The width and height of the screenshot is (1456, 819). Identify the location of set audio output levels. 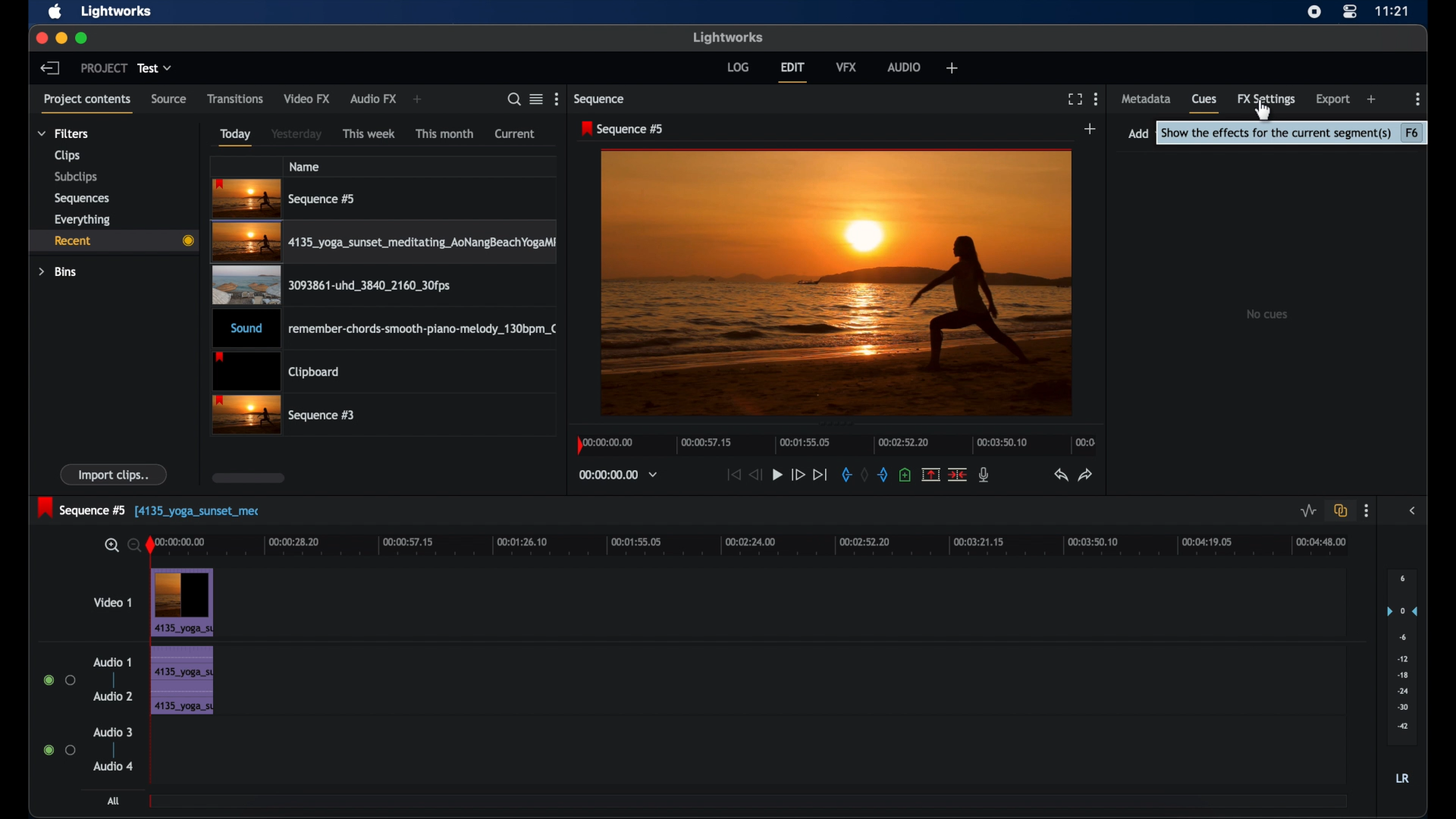
(1402, 655).